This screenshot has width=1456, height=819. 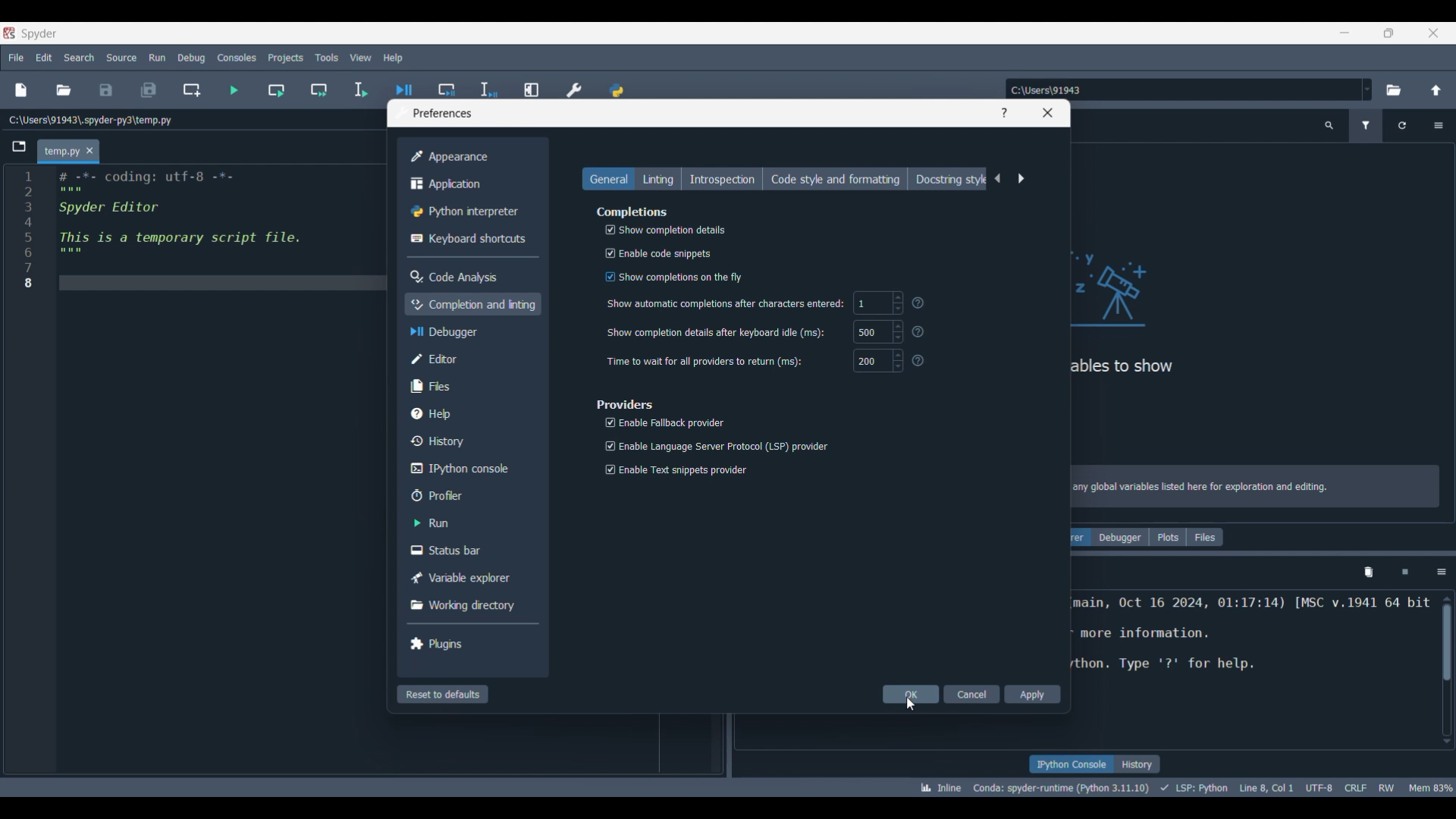 What do you see at coordinates (676, 472) in the screenshot?
I see `Enable Text snippets provider` at bounding box center [676, 472].